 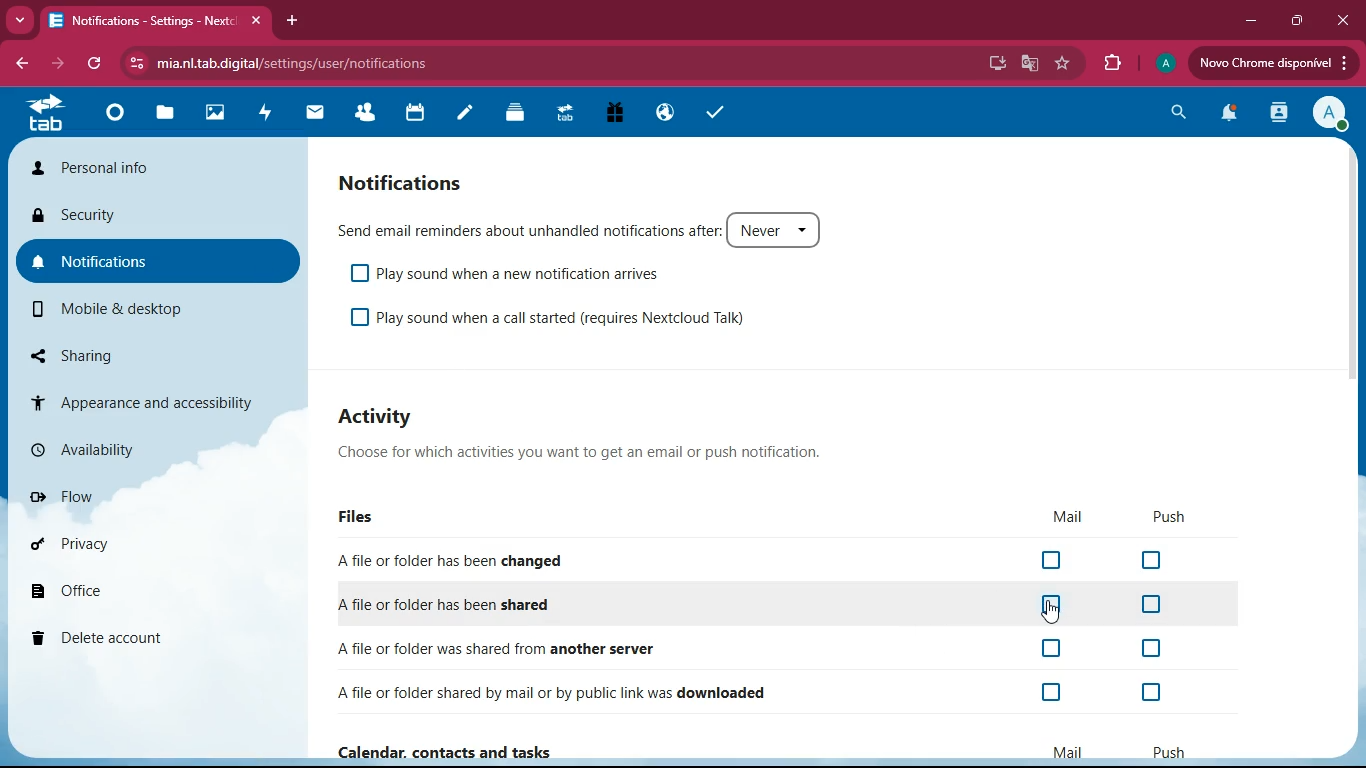 I want to click on flow, so click(x=143, y=498).